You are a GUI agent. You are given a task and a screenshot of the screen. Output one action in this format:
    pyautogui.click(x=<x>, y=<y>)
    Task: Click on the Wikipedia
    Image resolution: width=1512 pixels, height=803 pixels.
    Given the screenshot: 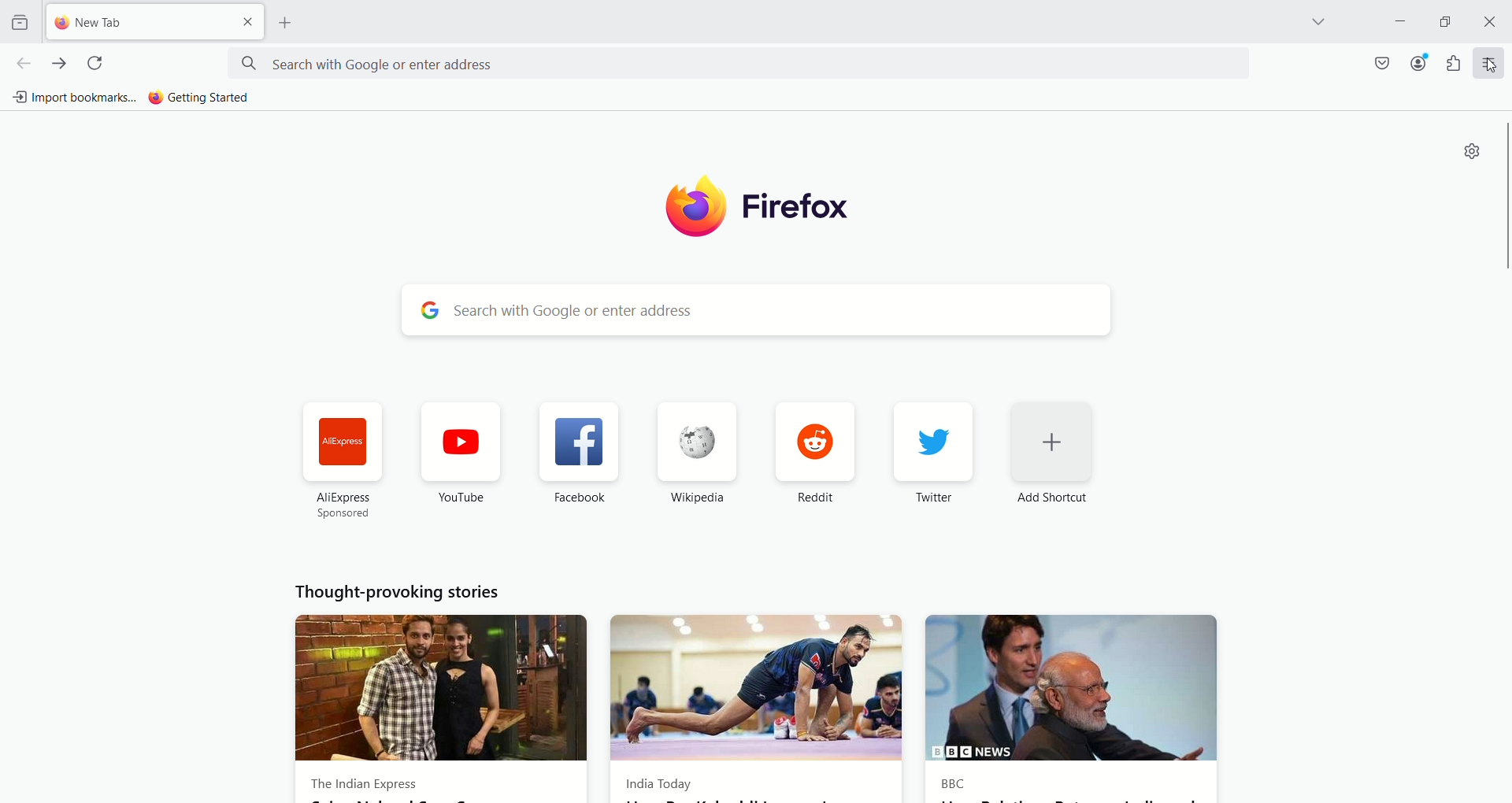 What is the action you would take?
    pyautogui.click(x=702, y=456)
    